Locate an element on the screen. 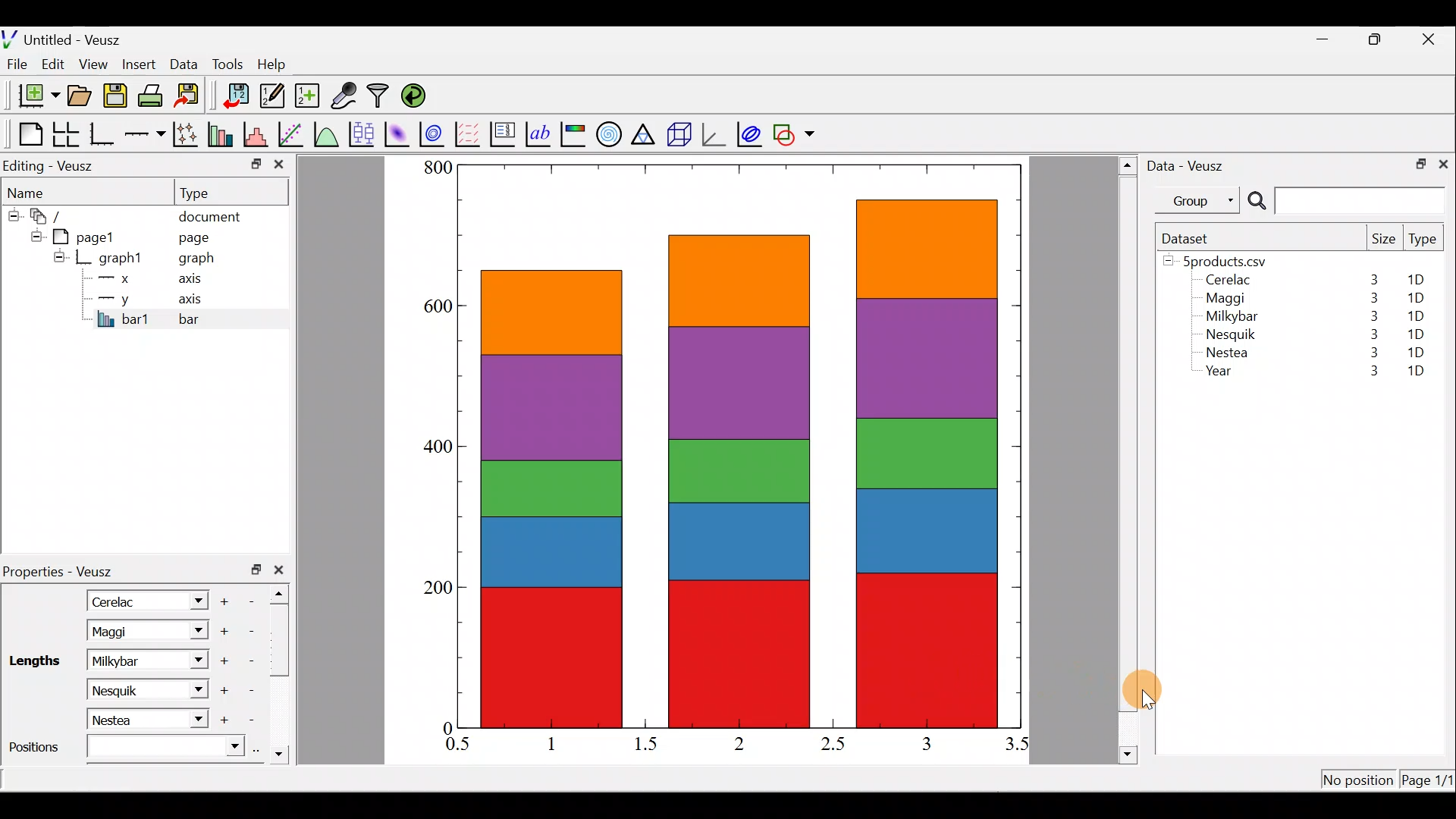 The width and height of the screenshot is (1456, 819). 1D is located at coordinates (1412, 315).